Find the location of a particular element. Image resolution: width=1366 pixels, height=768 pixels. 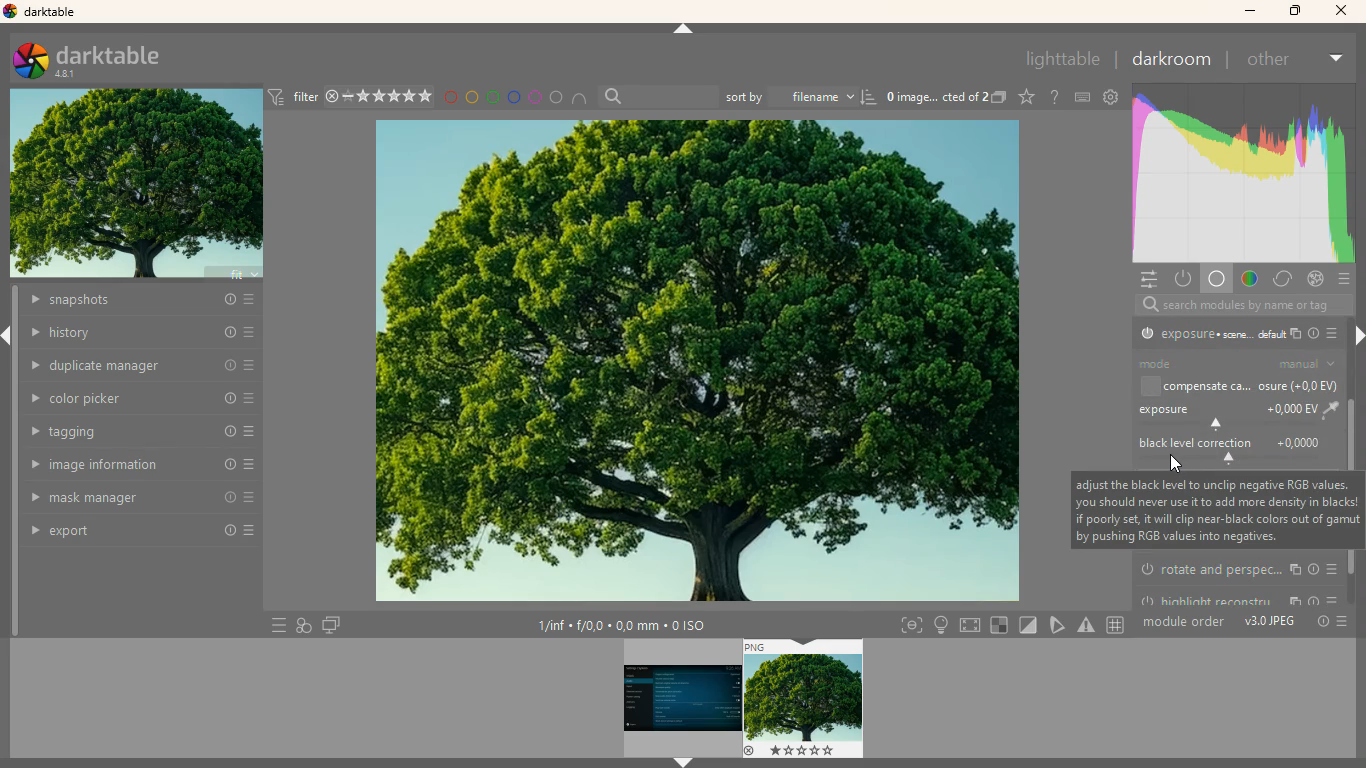

black level correction is located at coordinates (1238, 451).